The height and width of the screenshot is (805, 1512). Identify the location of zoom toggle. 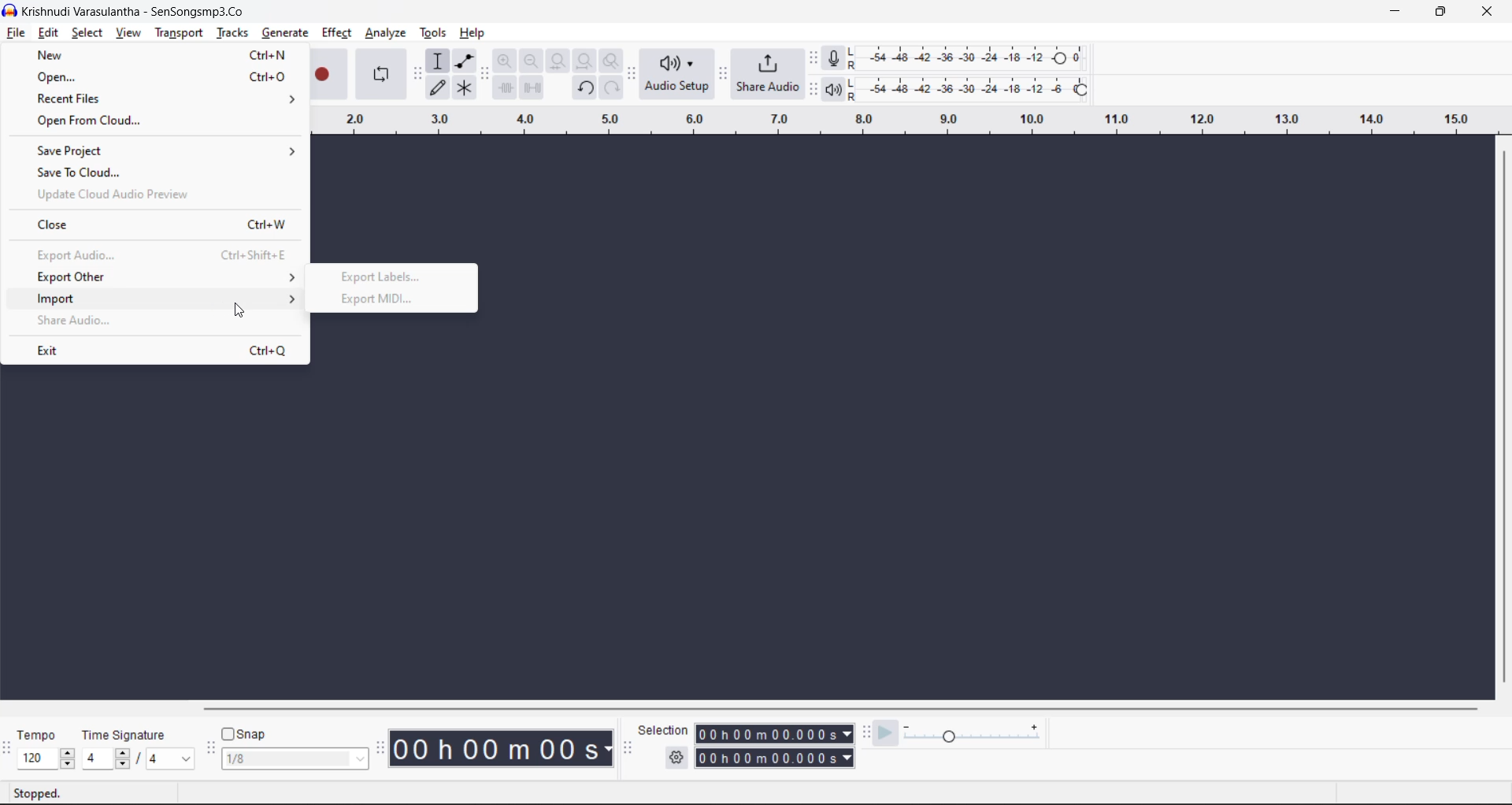
(614, 61).